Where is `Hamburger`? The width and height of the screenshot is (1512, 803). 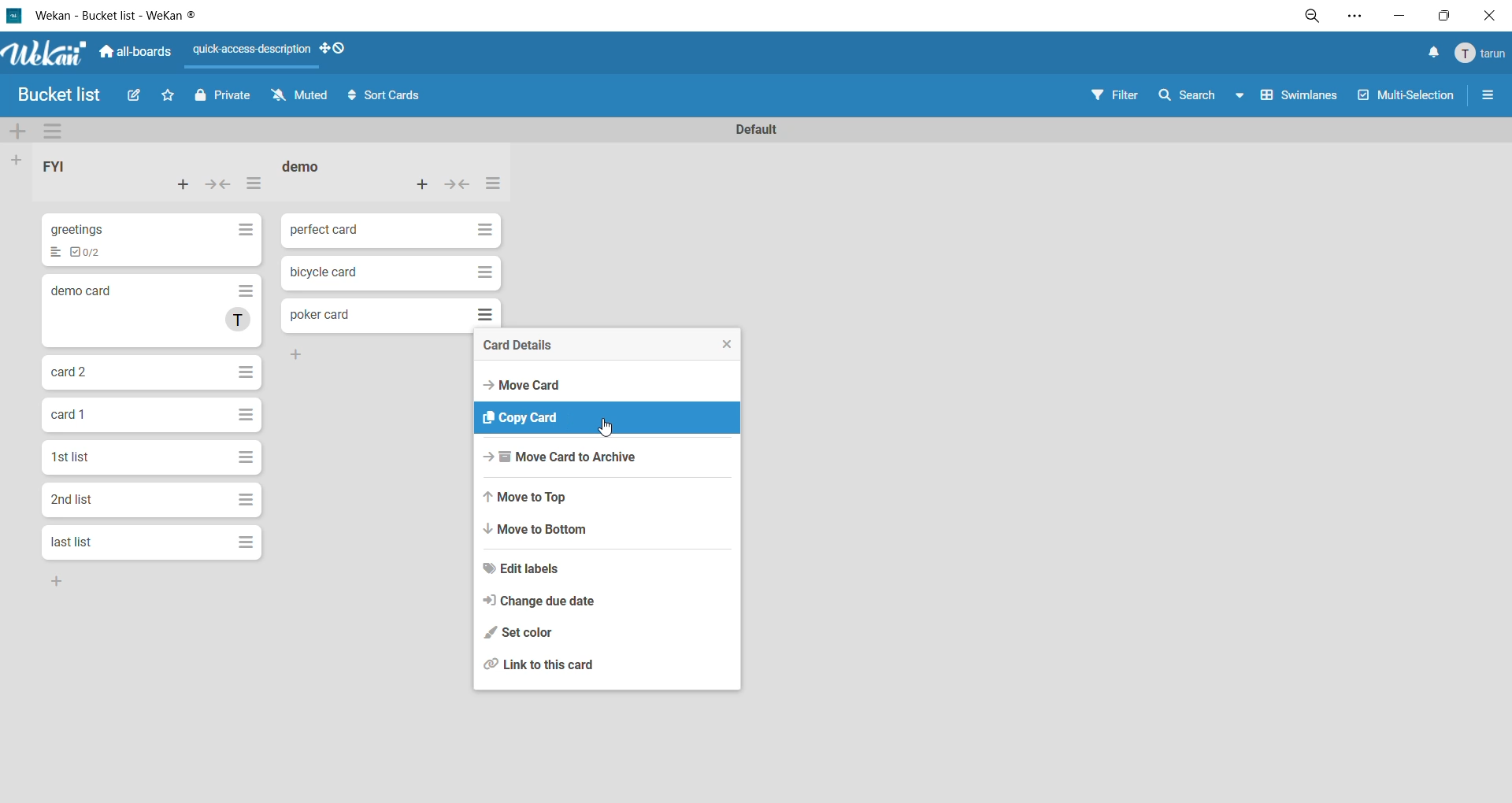
Hamburger is located at coordinates (249, 370).